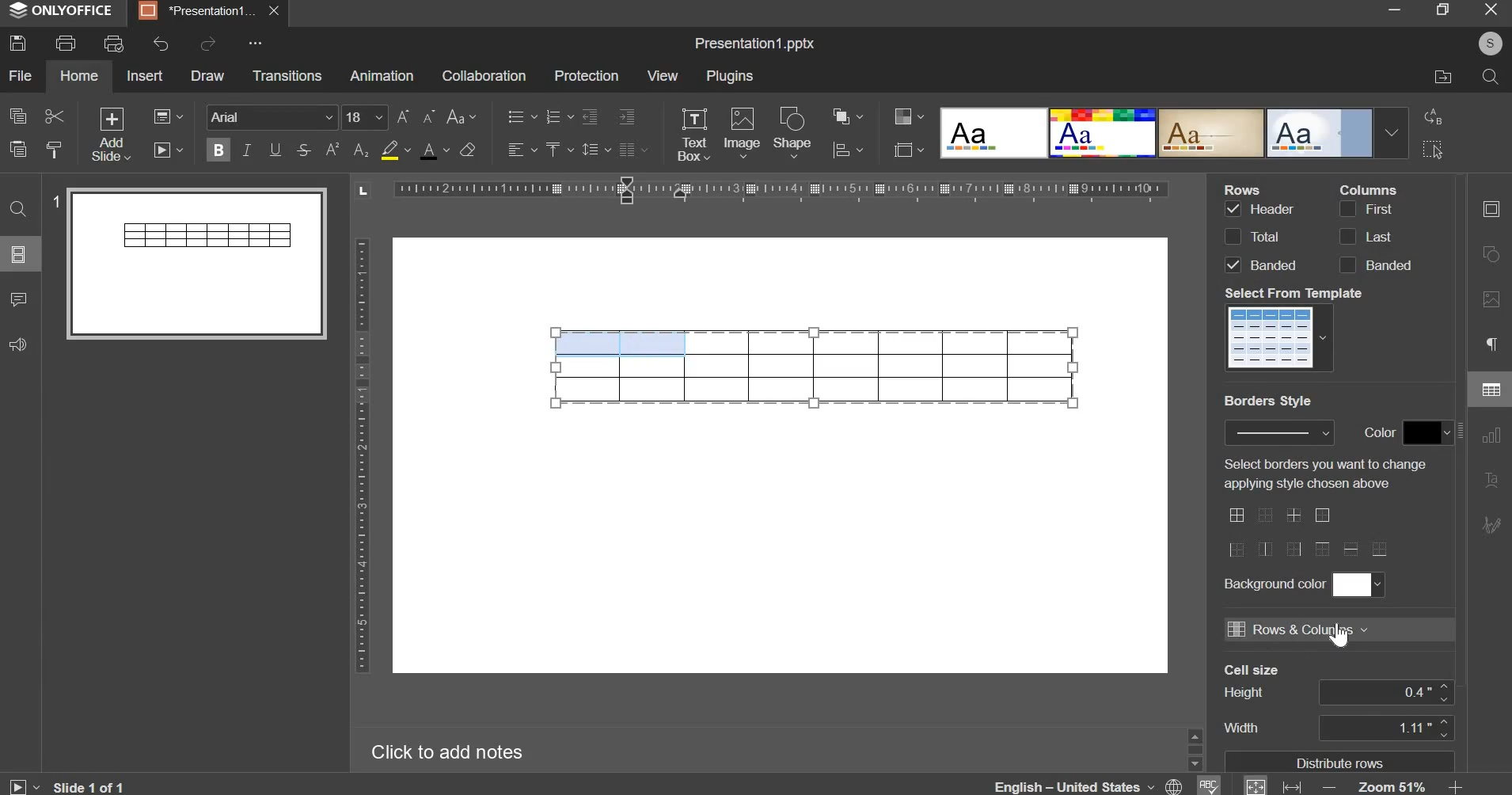 The image size is (1512, 795). What do you see at coordinates (1427, 433) in the screenshot?
I see `border color` at bounding box center [1427, 433].